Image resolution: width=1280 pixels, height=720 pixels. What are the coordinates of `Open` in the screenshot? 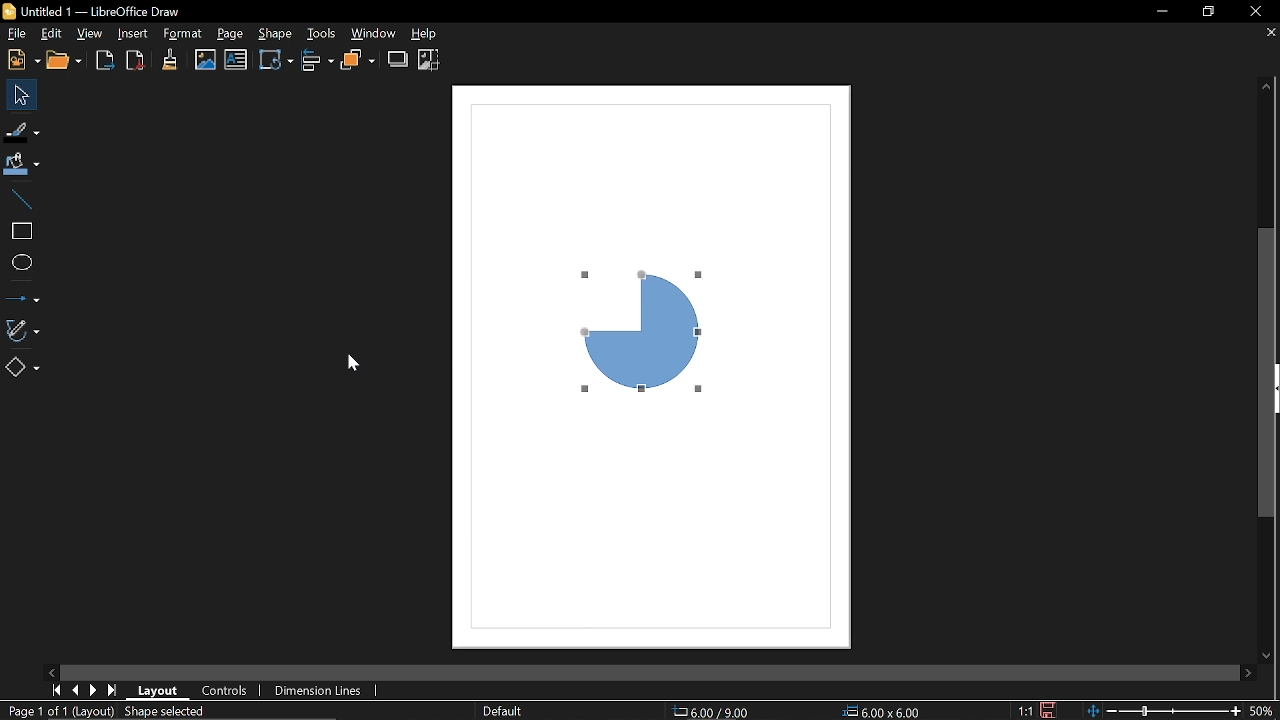 It's located at (66, 61).